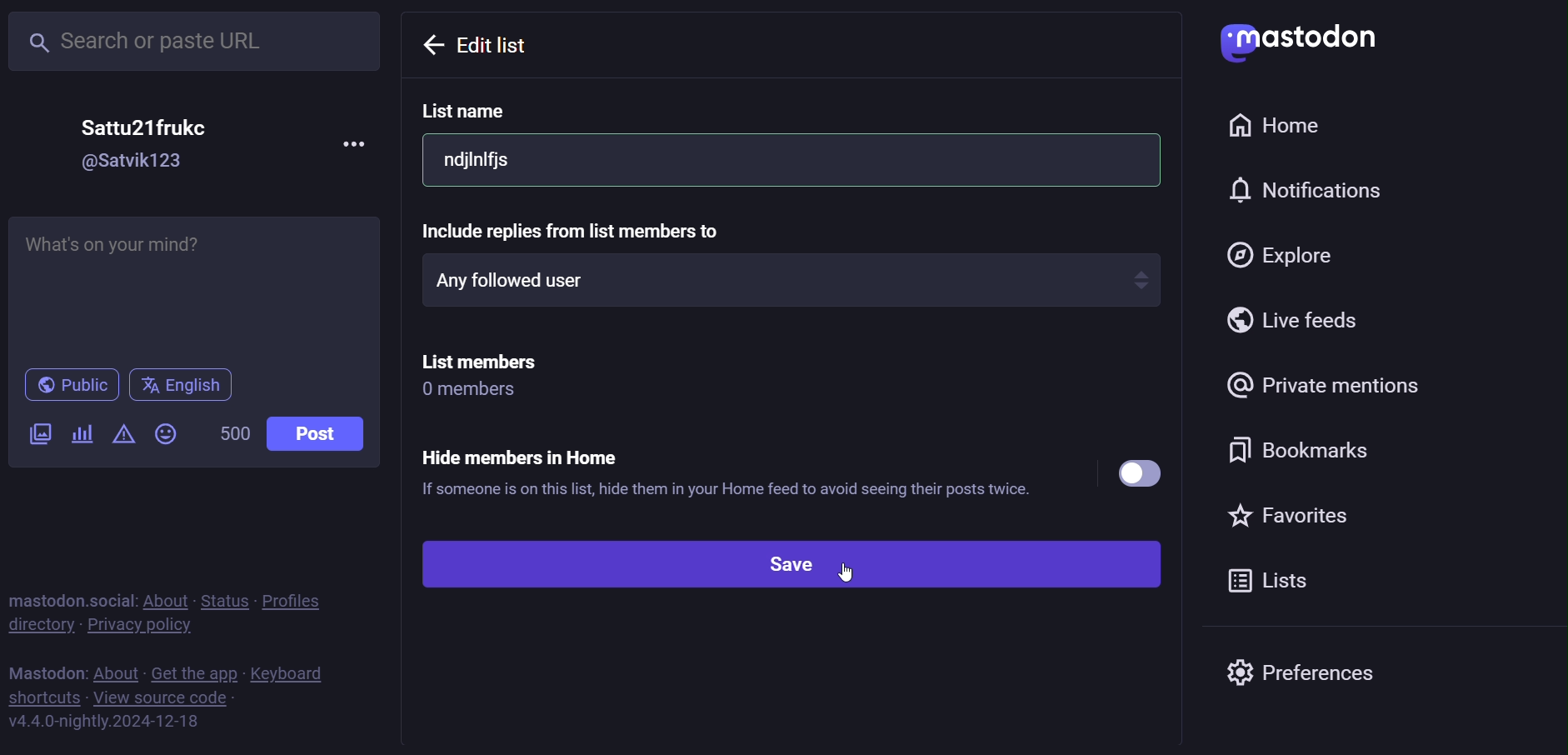 Image resolution: width=1568 pixels, height=755 pixels. What do you see at coordinates (39, 623) in the screenshot?
I see `directory` at bounding box center [39, 623].